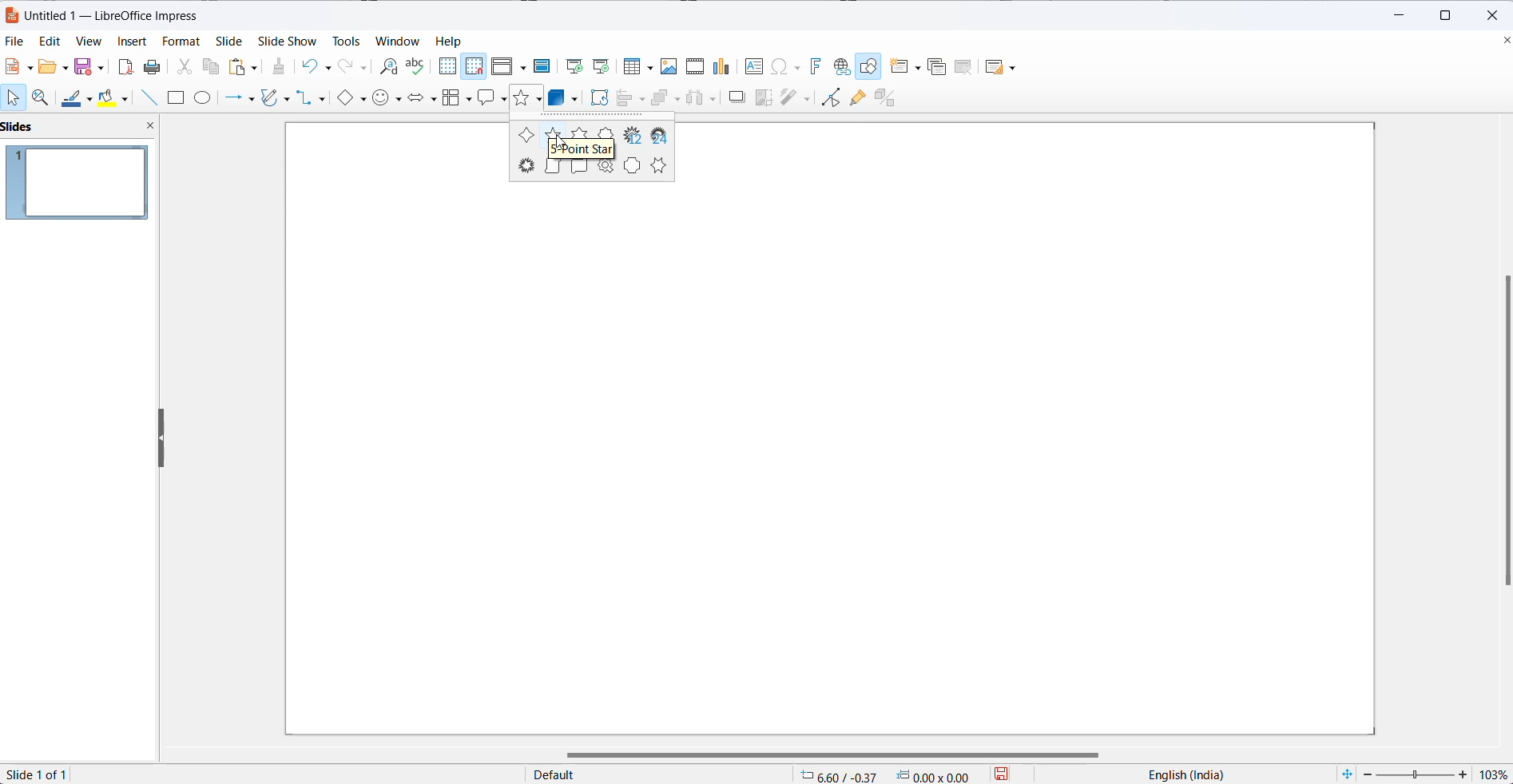  I want to click on 8 point star, so click(606, 130).